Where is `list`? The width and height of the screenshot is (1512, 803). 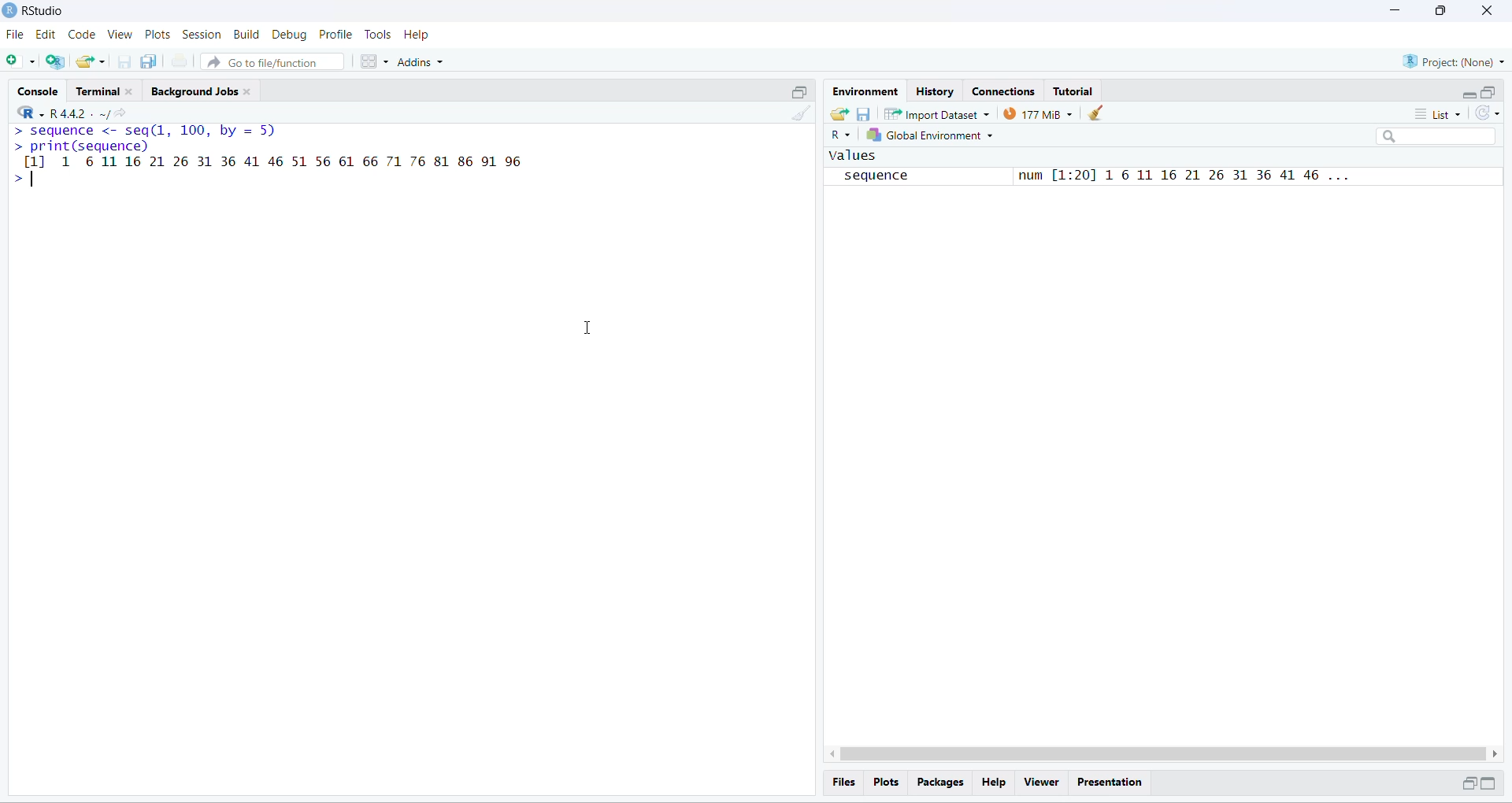 list is located at coordinates (1438, 114).